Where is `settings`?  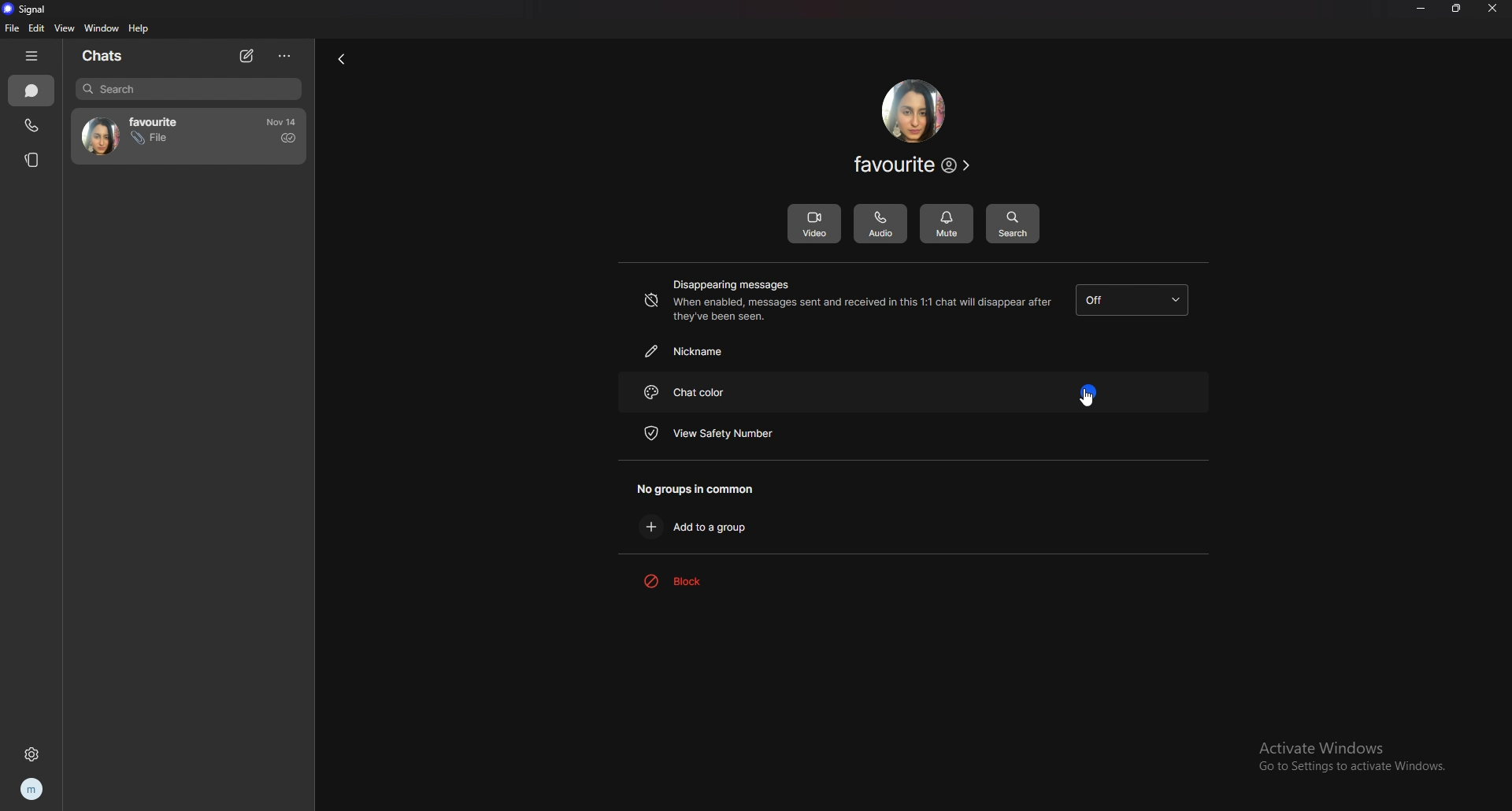
settings is located at coordinates (36, 755).